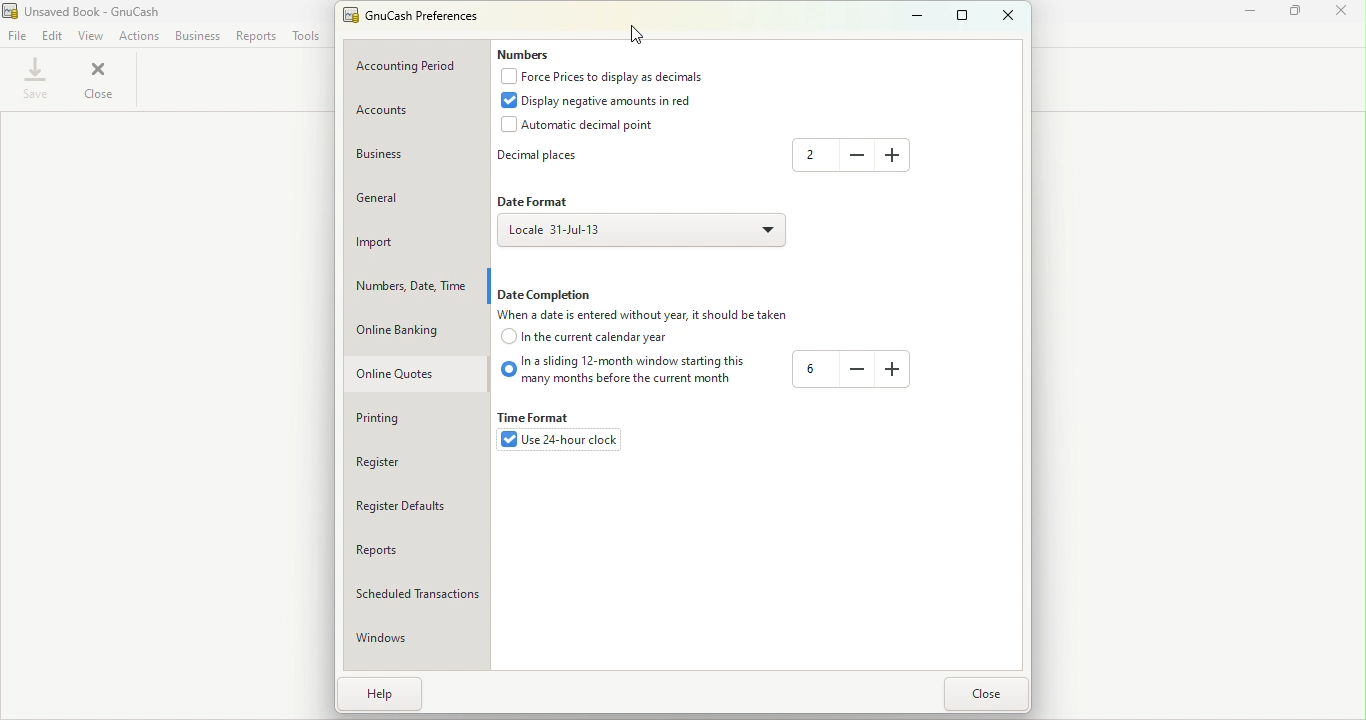  I want to click on Maximize, so click(1293, 13).